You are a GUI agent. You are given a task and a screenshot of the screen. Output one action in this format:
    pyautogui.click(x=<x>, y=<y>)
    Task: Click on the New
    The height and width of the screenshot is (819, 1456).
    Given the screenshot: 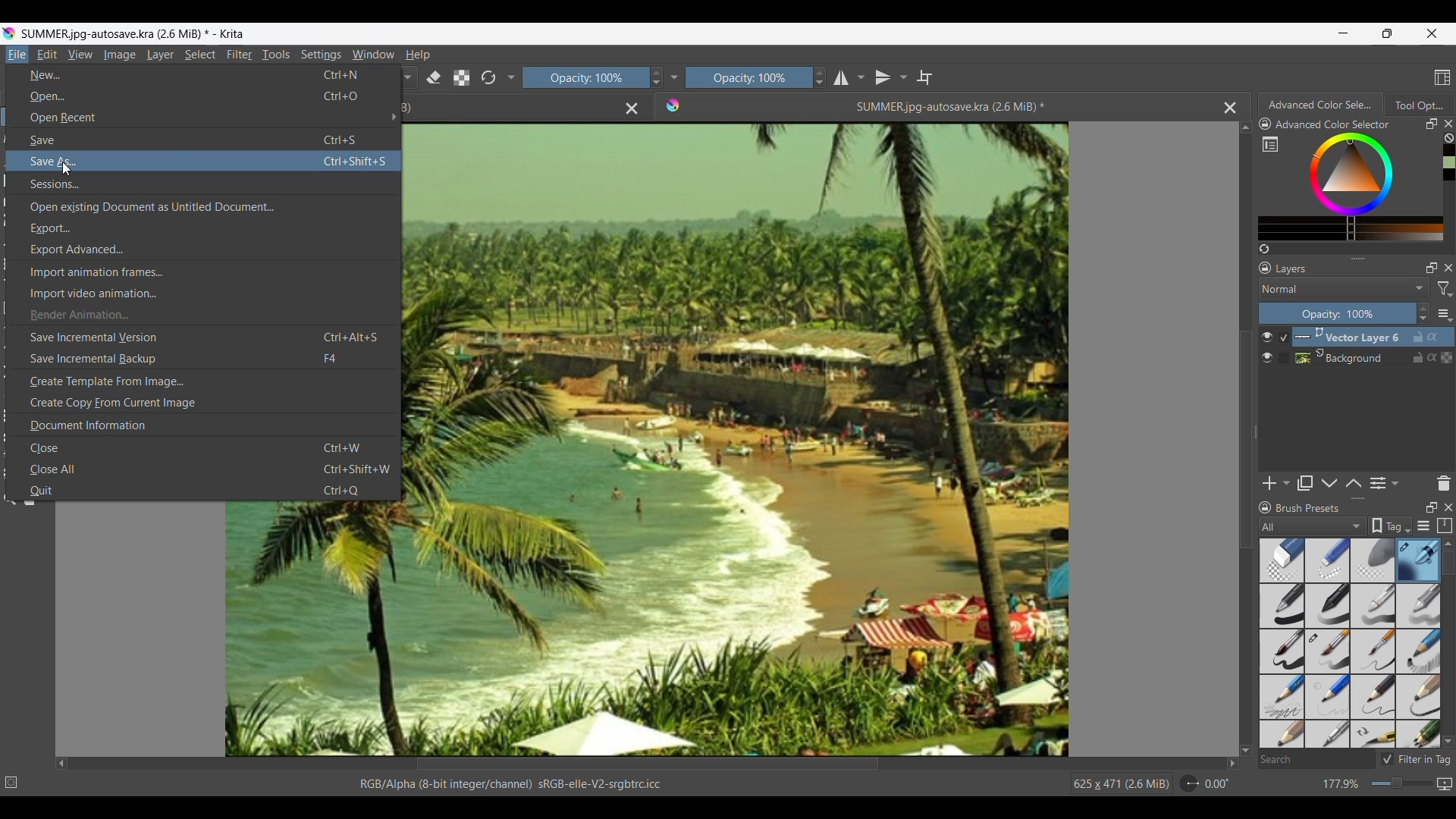 What is the action you would take?
    pyautogui.click(x=204, y=75)
    